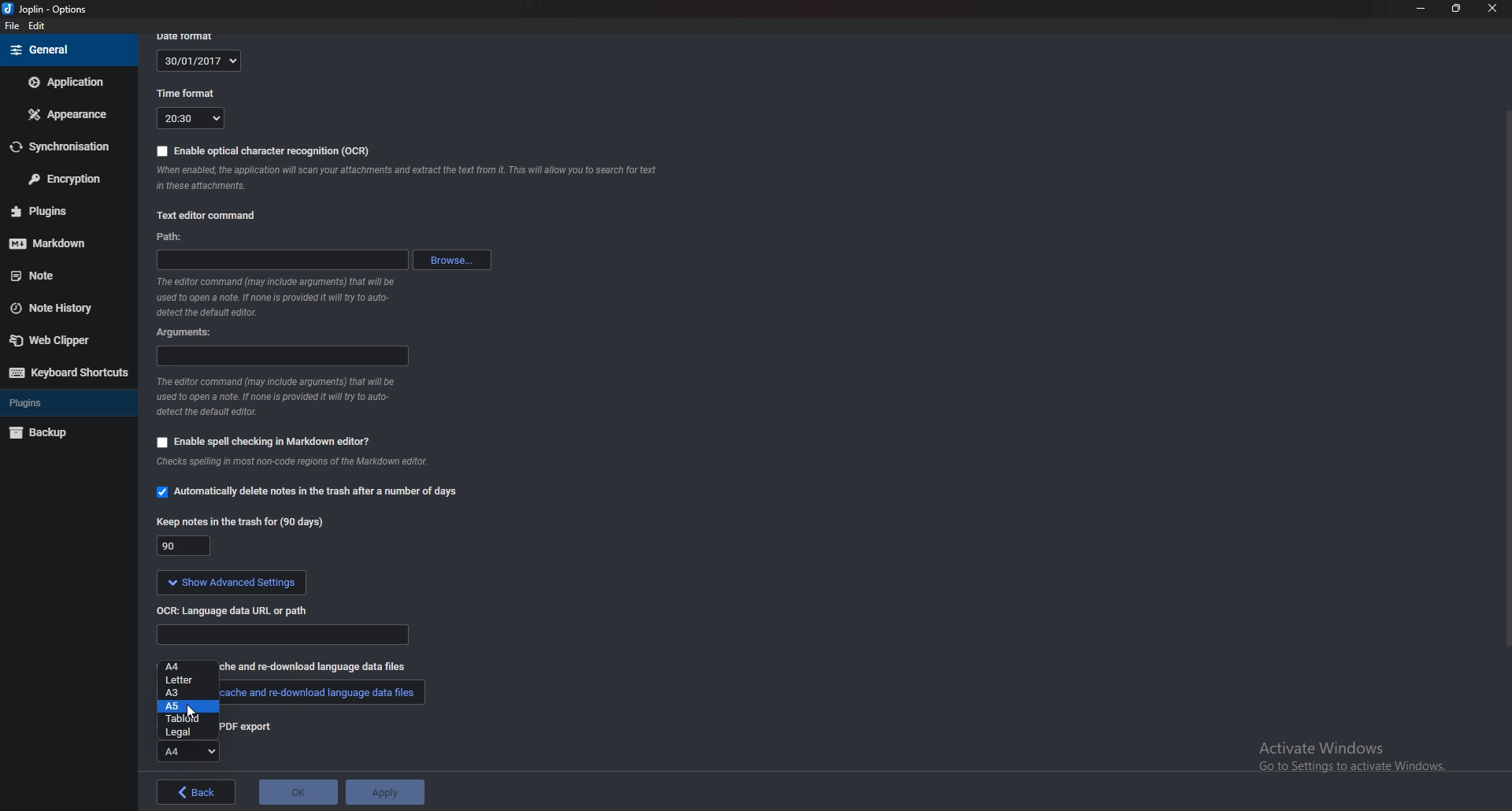  What do you see at coordinates (268, 728) in the screenshot?
I see `pdf export` at bounding box center [268, 728].